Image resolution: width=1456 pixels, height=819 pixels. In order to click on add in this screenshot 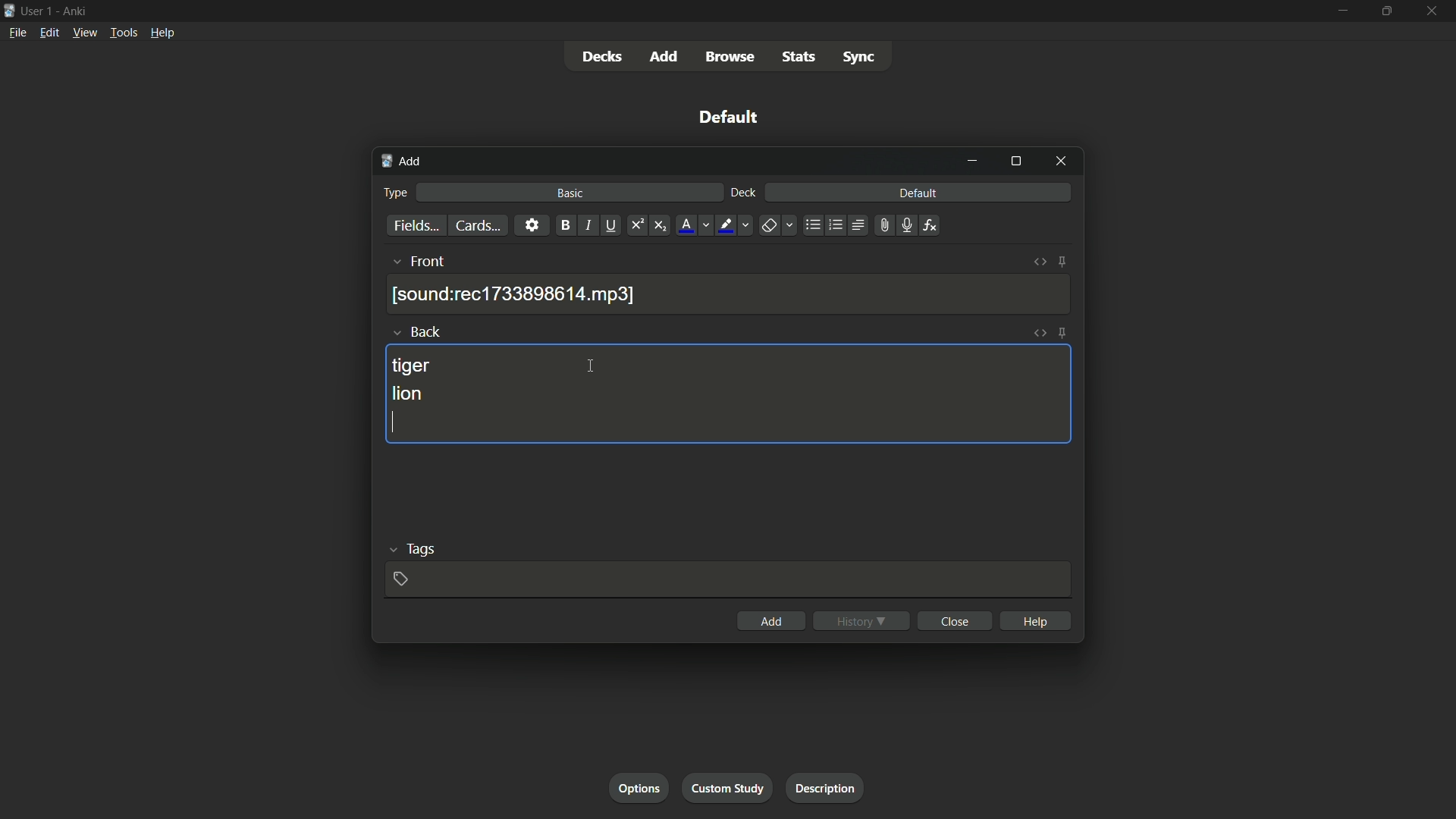, I will do `click(665, 56)`.